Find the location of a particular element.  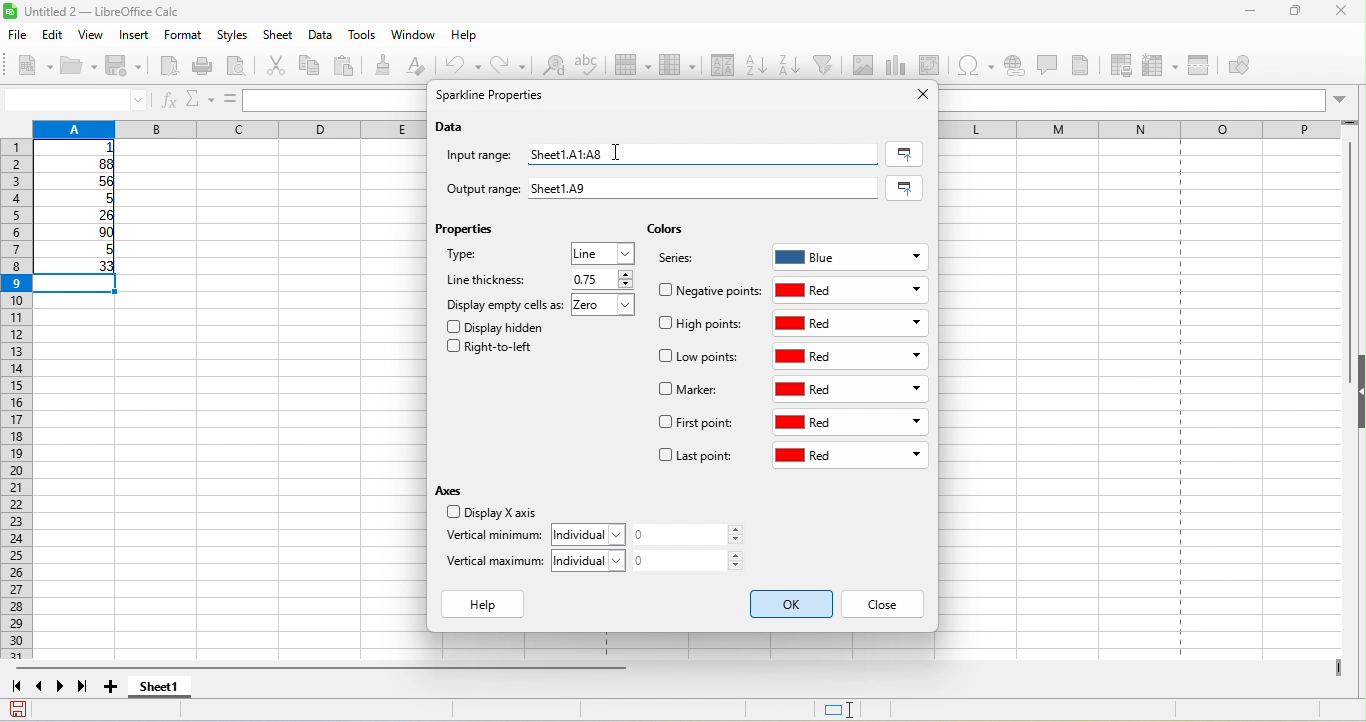

vertical maximum is located at coordinates (496, 565).